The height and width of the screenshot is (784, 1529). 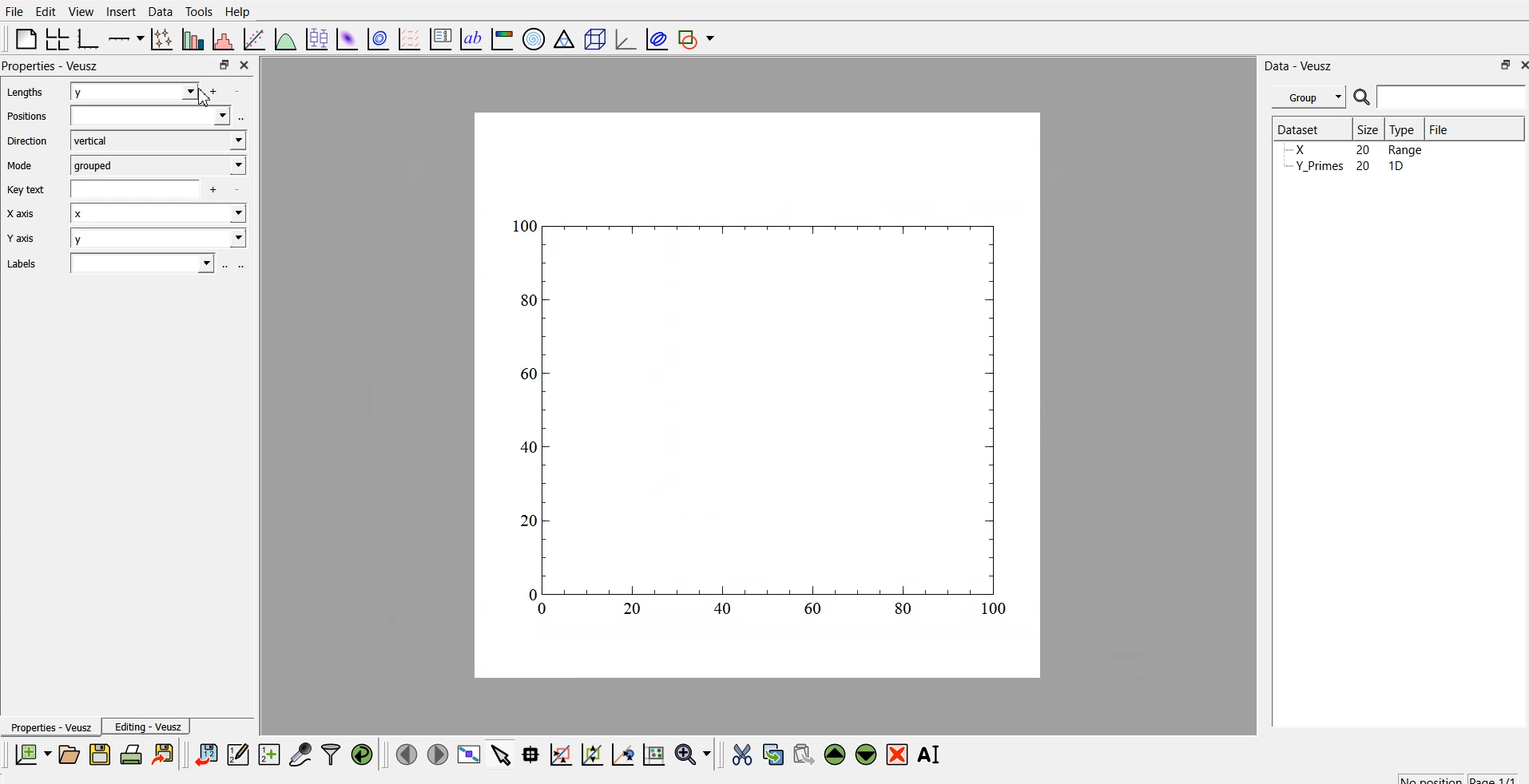 I want to click on Data - Veusz, so click(x=1301, y=63).